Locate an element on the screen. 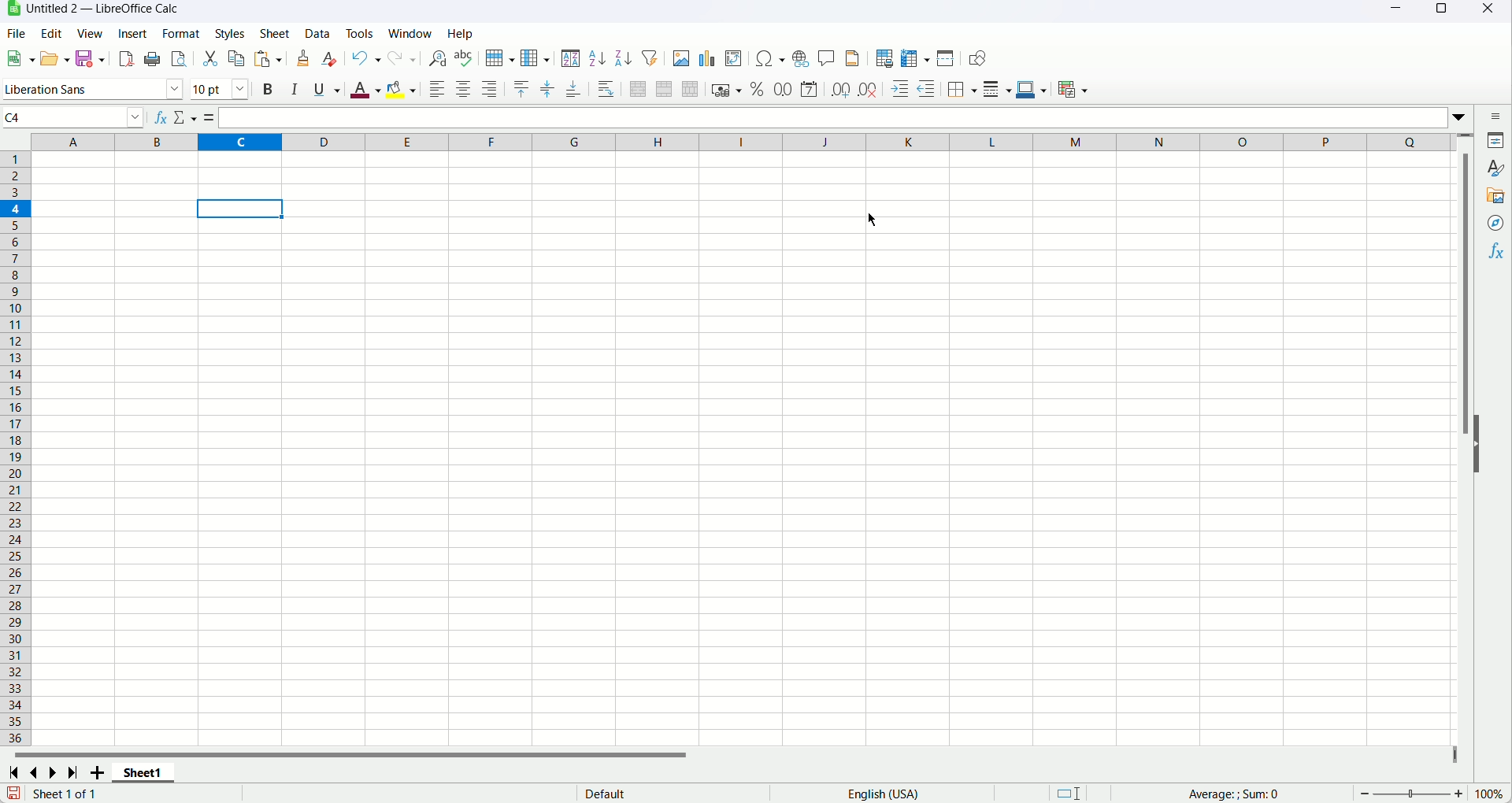  Row number is located at coordinates (16, 447).